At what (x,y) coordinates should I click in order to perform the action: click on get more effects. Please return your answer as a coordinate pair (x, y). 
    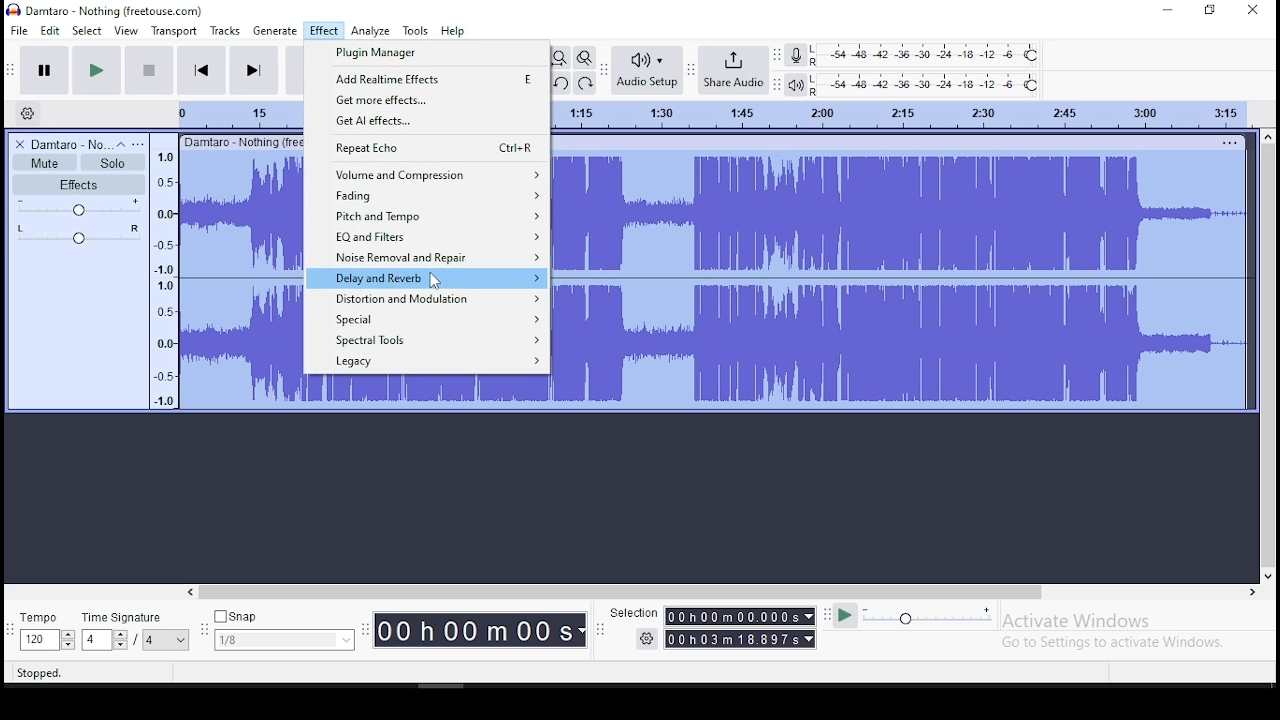
    Looking at the image, I should click on (425, 100).